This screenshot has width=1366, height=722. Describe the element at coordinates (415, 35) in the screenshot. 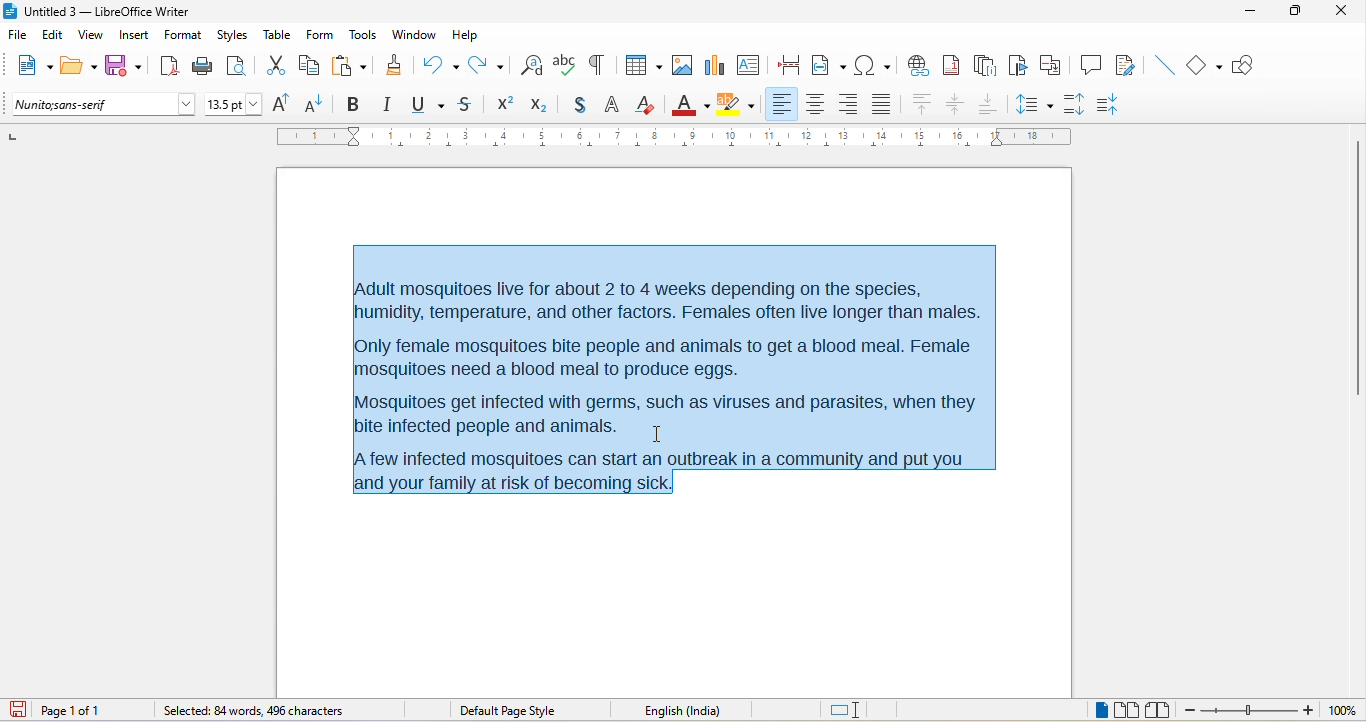

I see `window` at that location.